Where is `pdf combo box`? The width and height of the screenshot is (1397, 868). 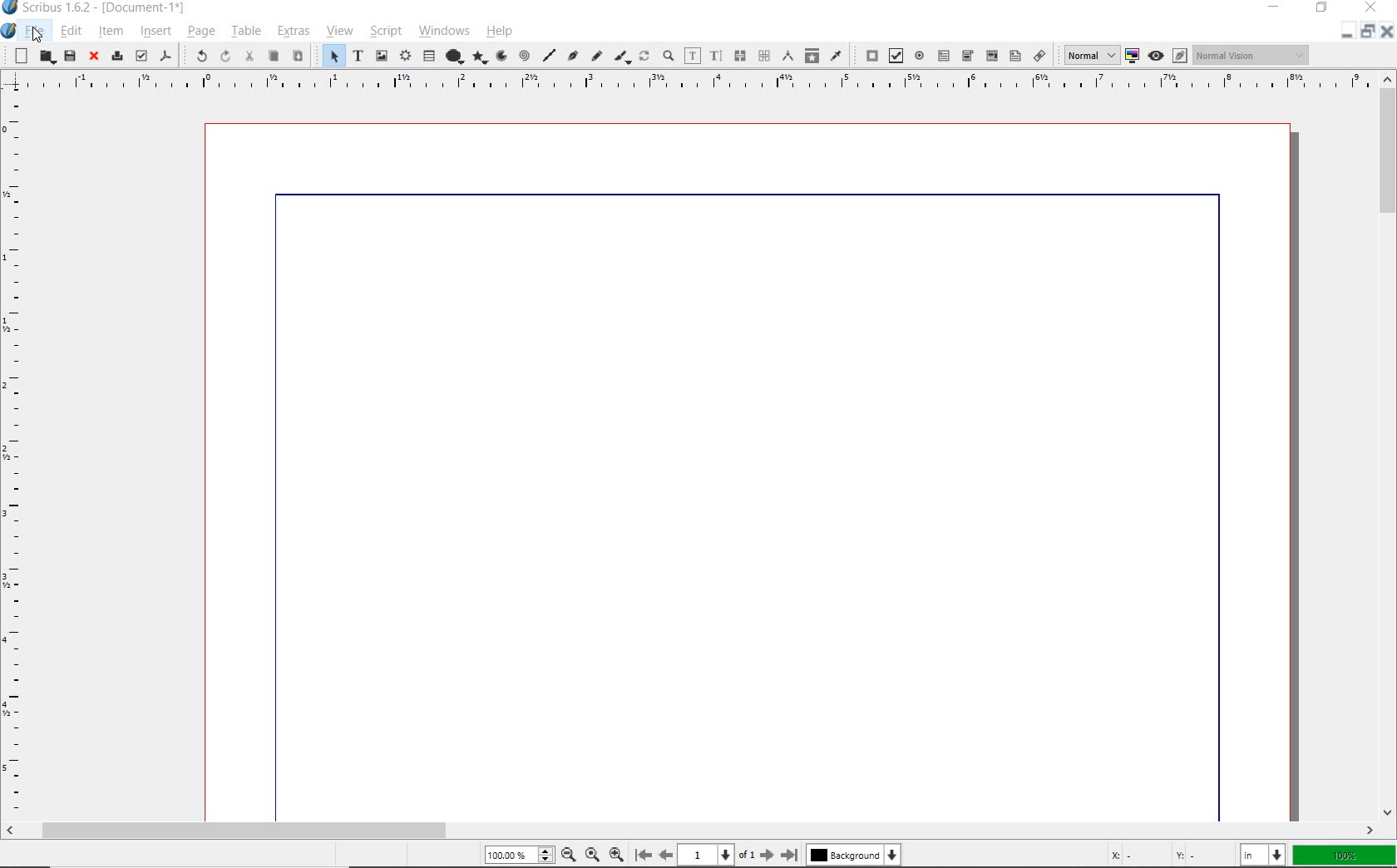
pdf combo box is located at coordinates (967, 56).